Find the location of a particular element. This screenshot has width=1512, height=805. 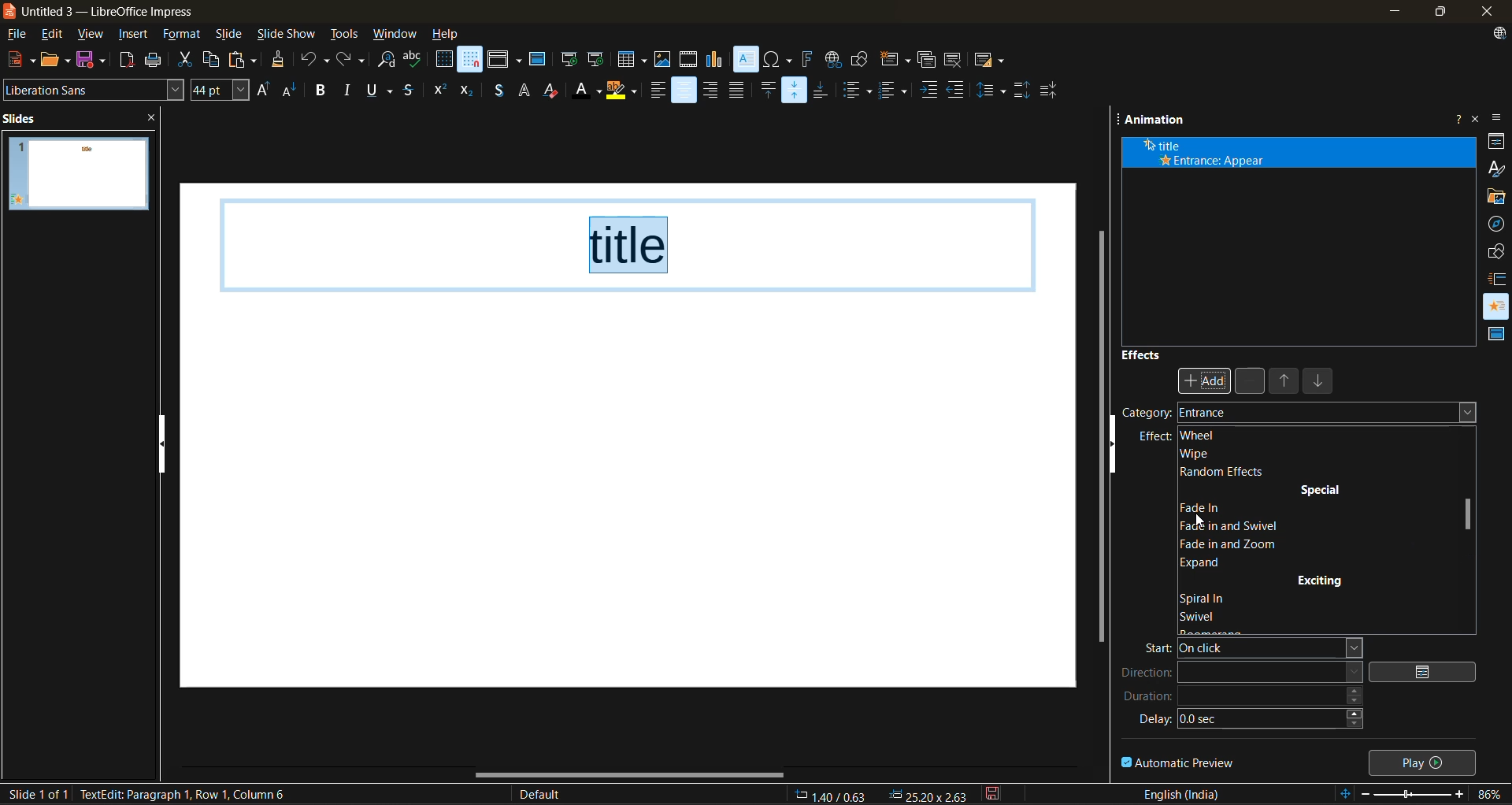

apply outline is located at coordinates (525, 91).